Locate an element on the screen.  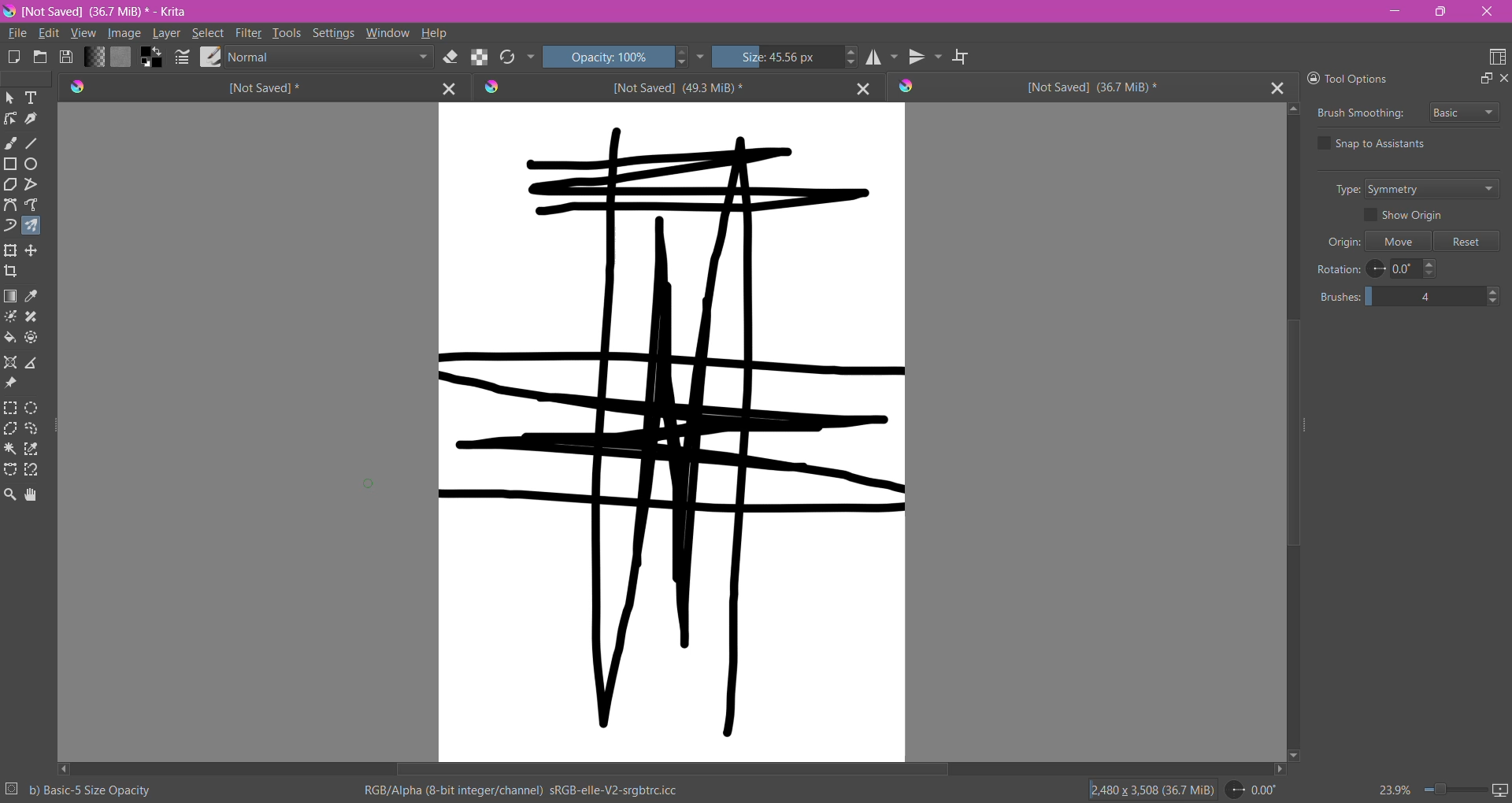
Transform a layer is located at coordinates (35, 250).